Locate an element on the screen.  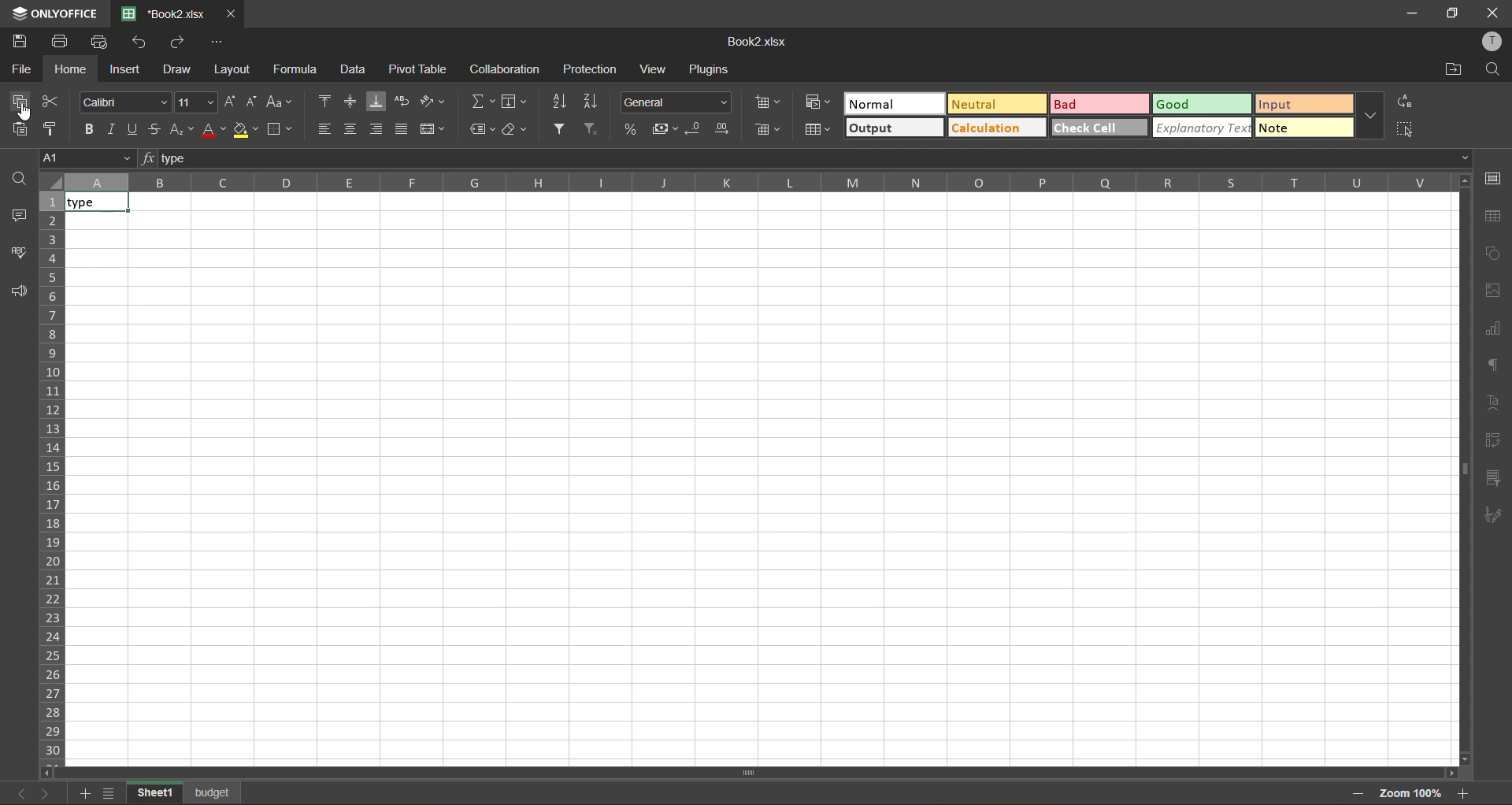
font size is located at coordinates (197, 102).